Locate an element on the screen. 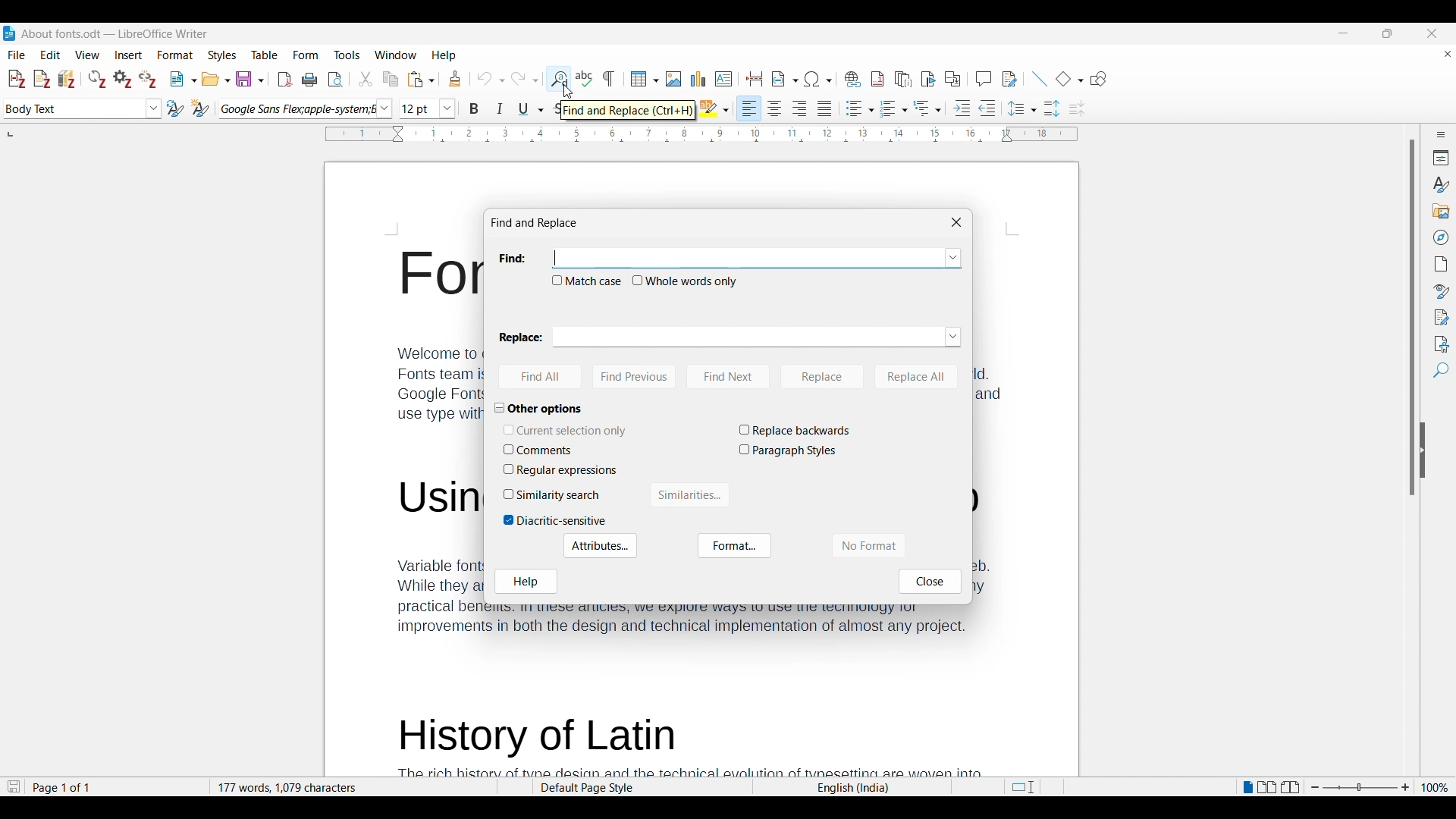 This screenshot has height=819, width=1456. Close is located at coordinates (931, 582).